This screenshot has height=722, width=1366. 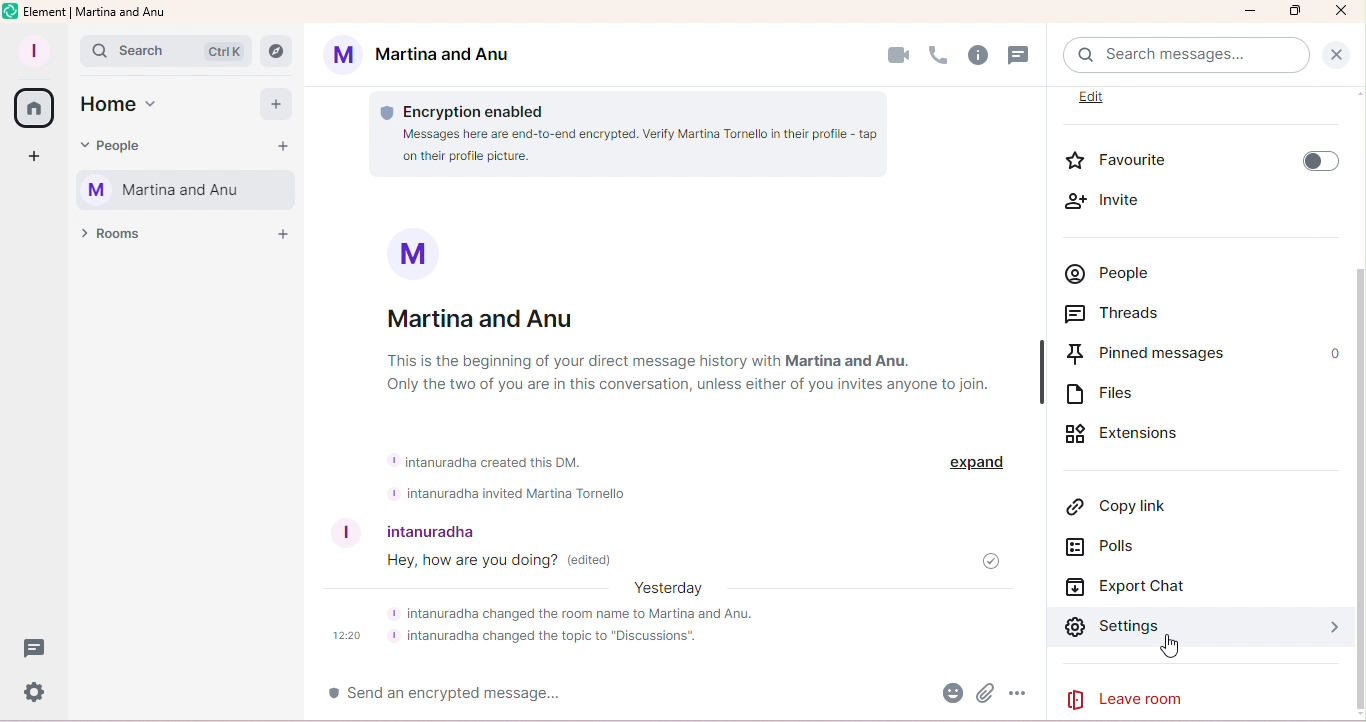 What do you see at coordinates (1109, 549) in the screenshot?
I see `Polls` at bounding box center [1109, 549].